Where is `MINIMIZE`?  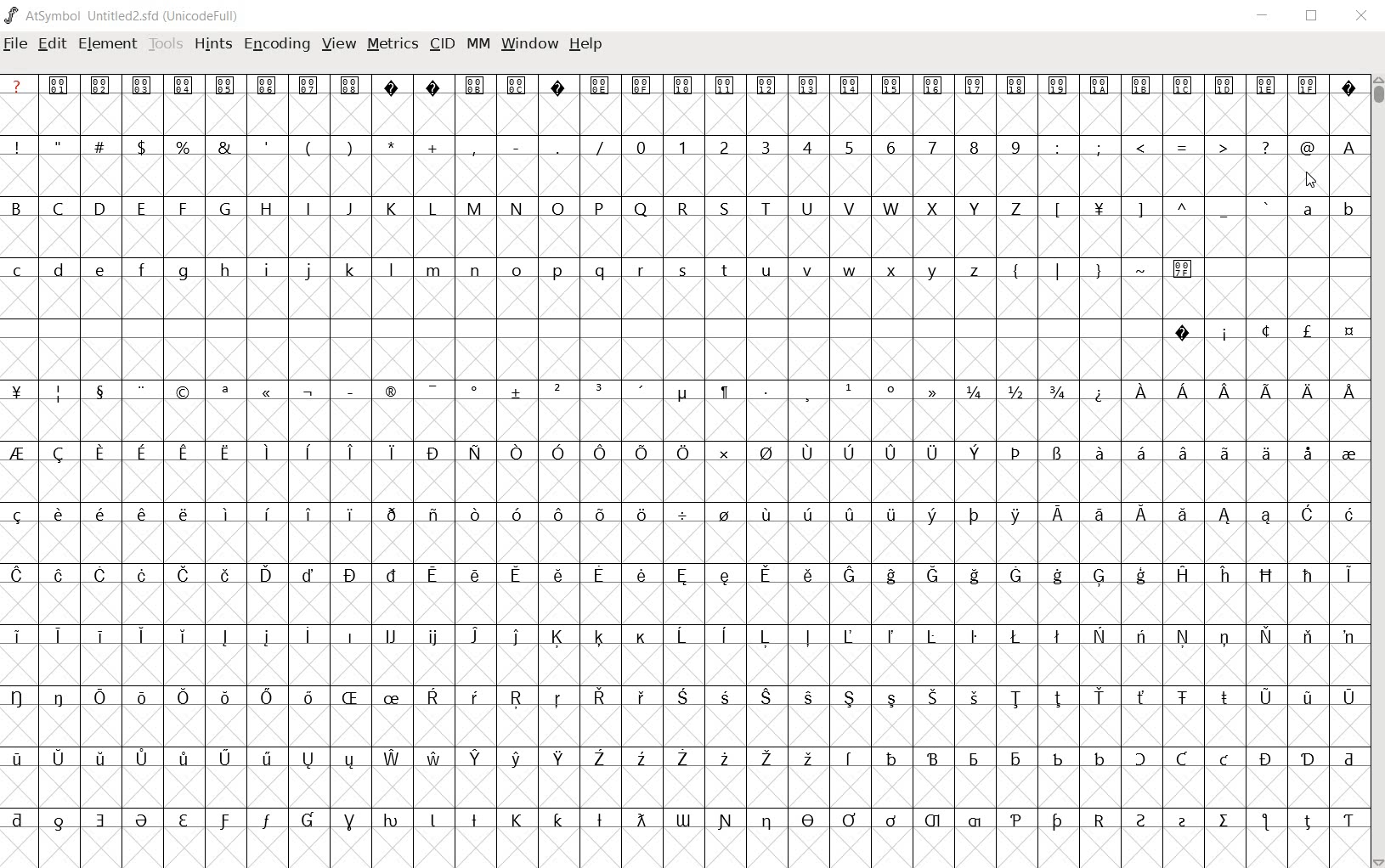
MINIMIZE is located at coordinates (1267, 20).